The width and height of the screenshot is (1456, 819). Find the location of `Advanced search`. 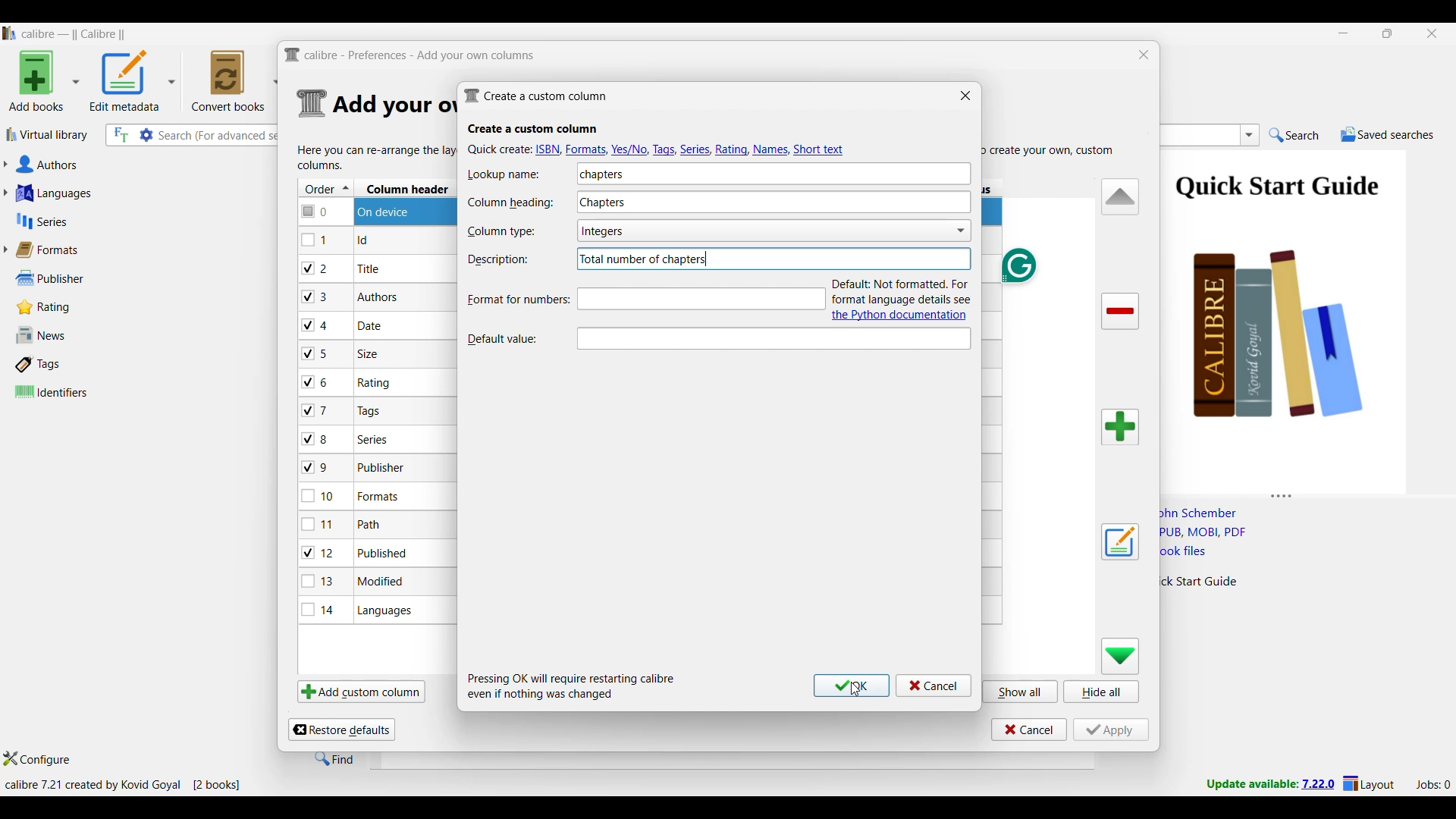

Advanced search is located at coordinates (146, 135).